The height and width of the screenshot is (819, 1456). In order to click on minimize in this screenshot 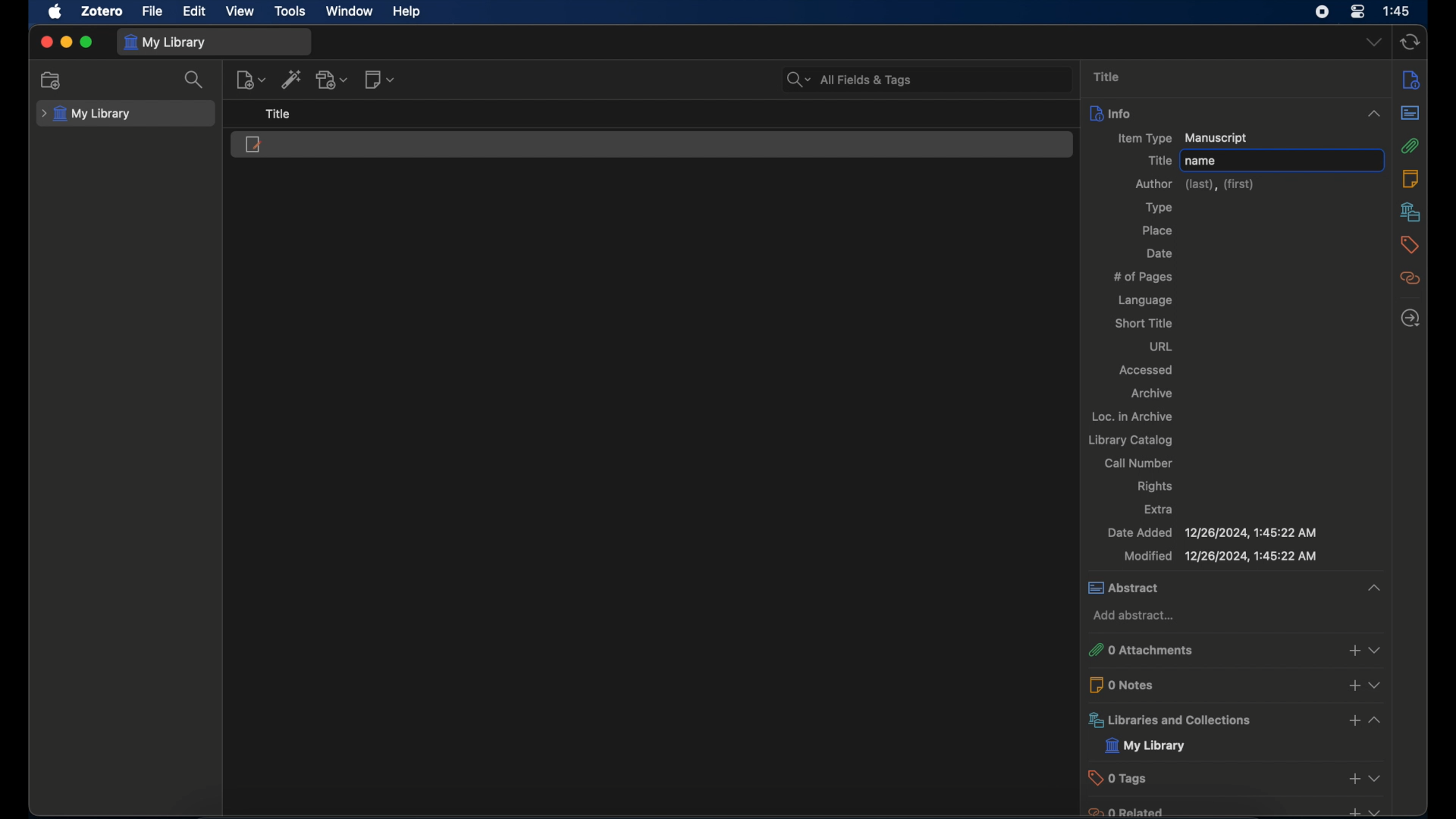, I will do `click(65, 43)`.